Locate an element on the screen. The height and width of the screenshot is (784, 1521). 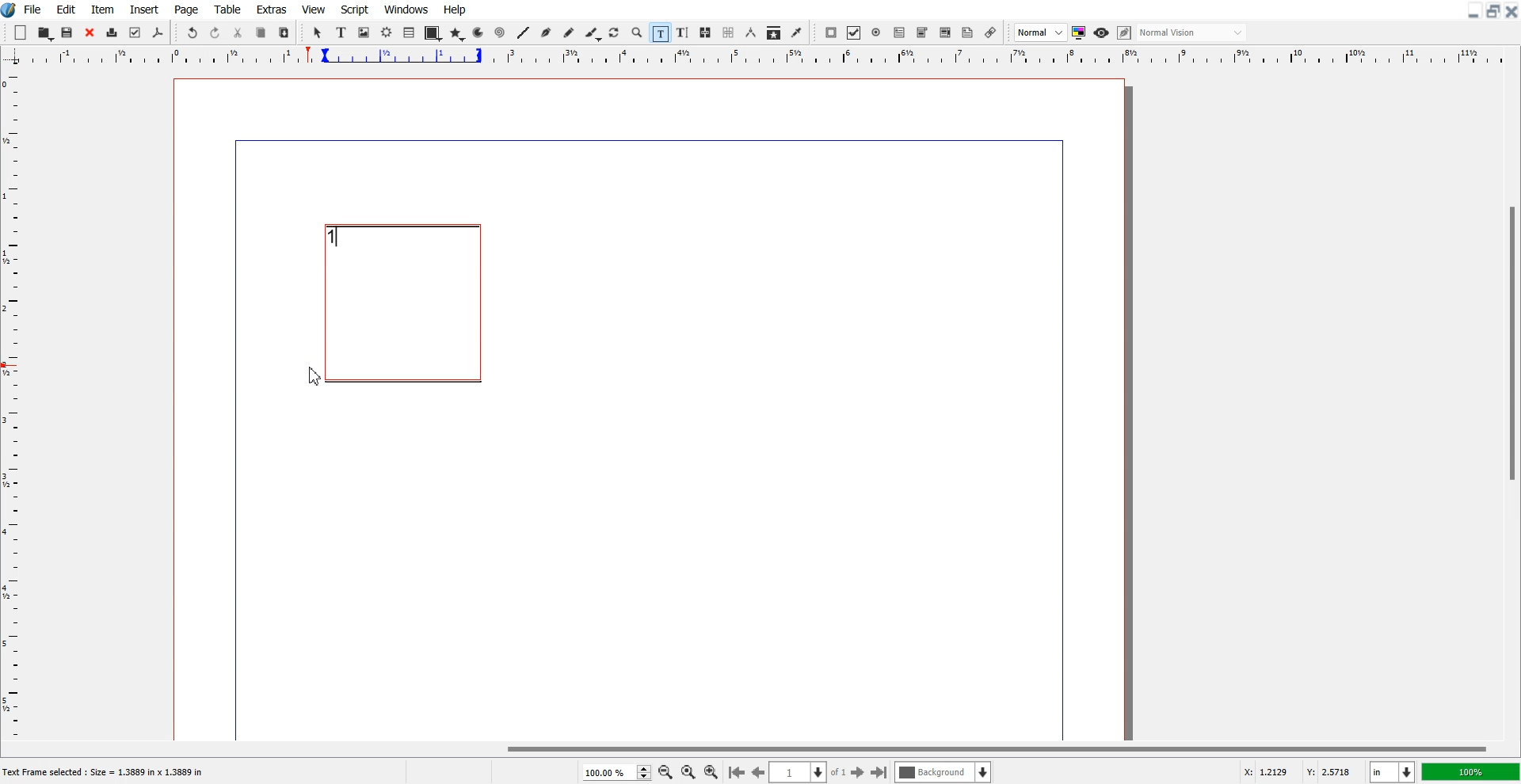
File is located at coordinates (34, 9).